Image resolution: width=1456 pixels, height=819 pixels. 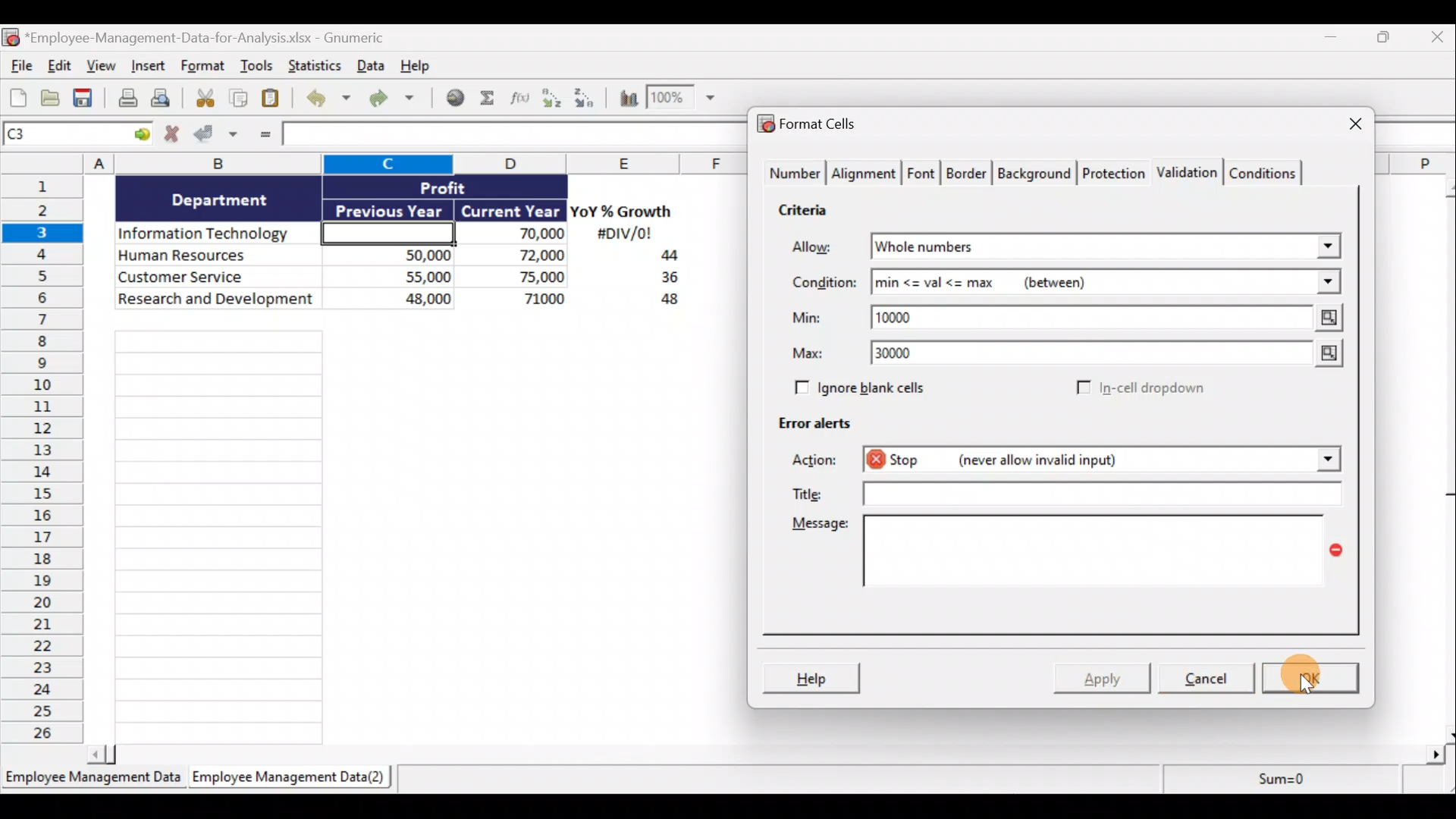 What do you see at coordinates (217, 300) in the screenshot?
I see `Research and development` at bounding box center [217, 300].